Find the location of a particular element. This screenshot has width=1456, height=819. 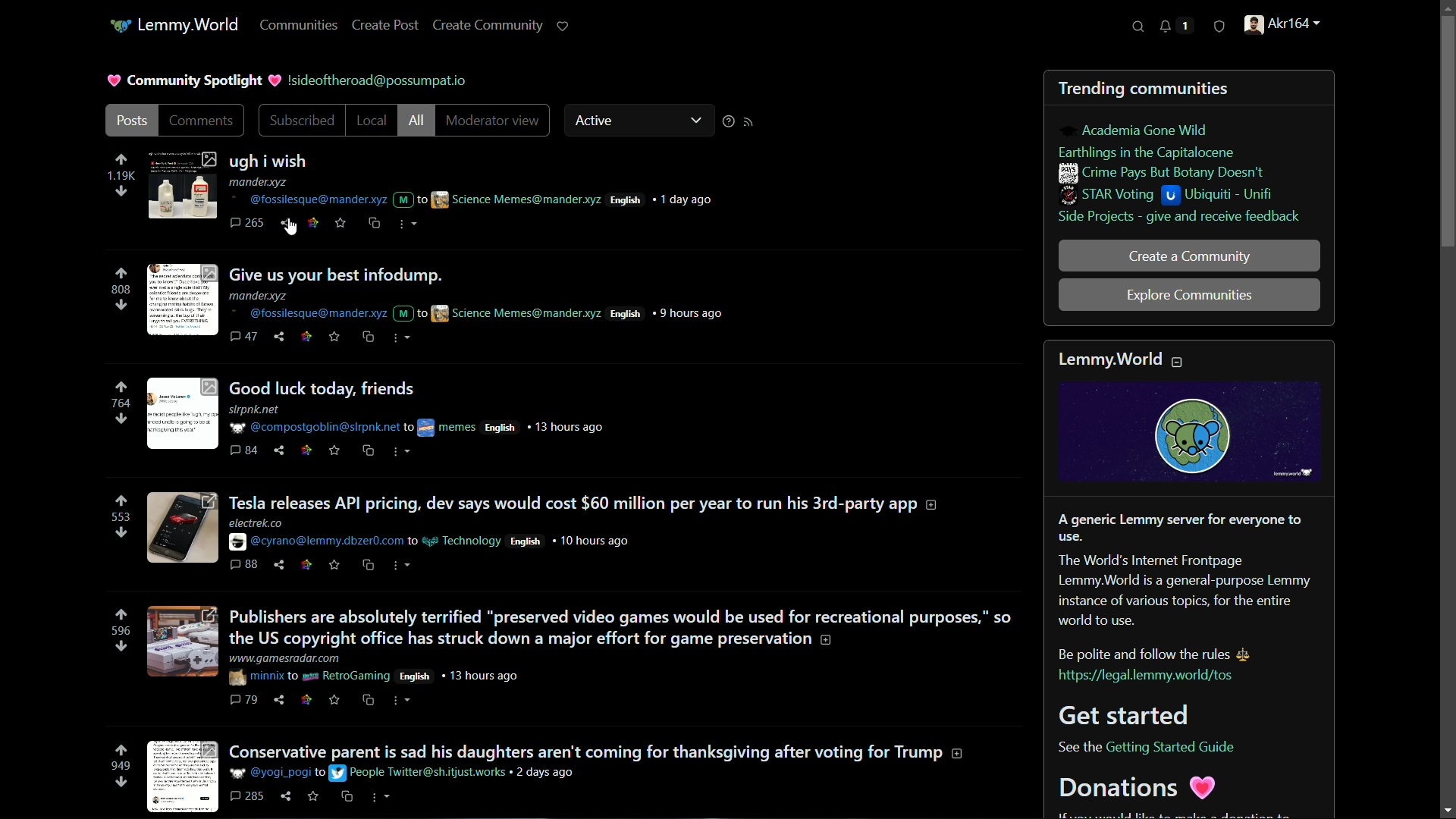

M to is located at coordinates (410, 313).